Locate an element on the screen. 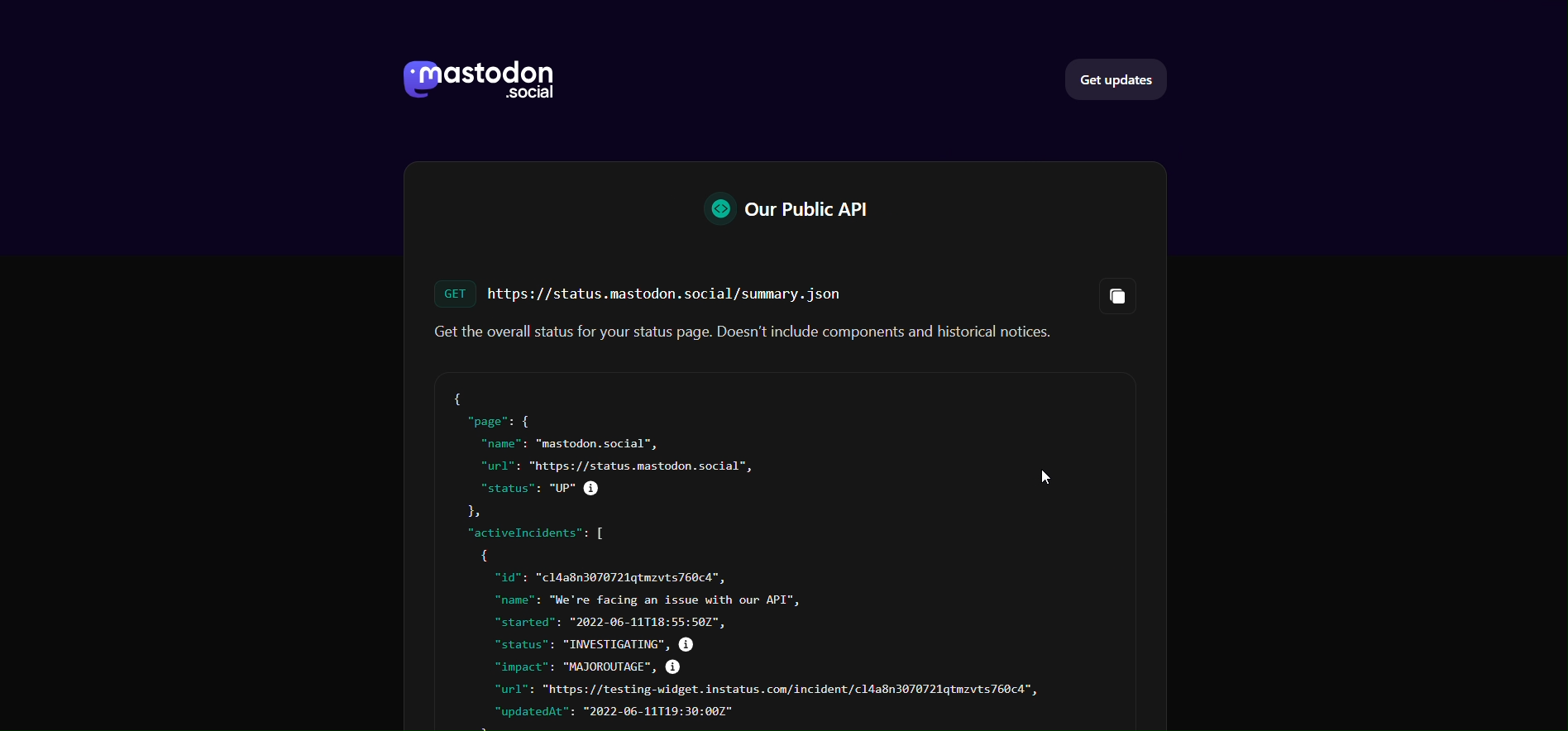  Get Updates is located at coordinates (1120, 83).